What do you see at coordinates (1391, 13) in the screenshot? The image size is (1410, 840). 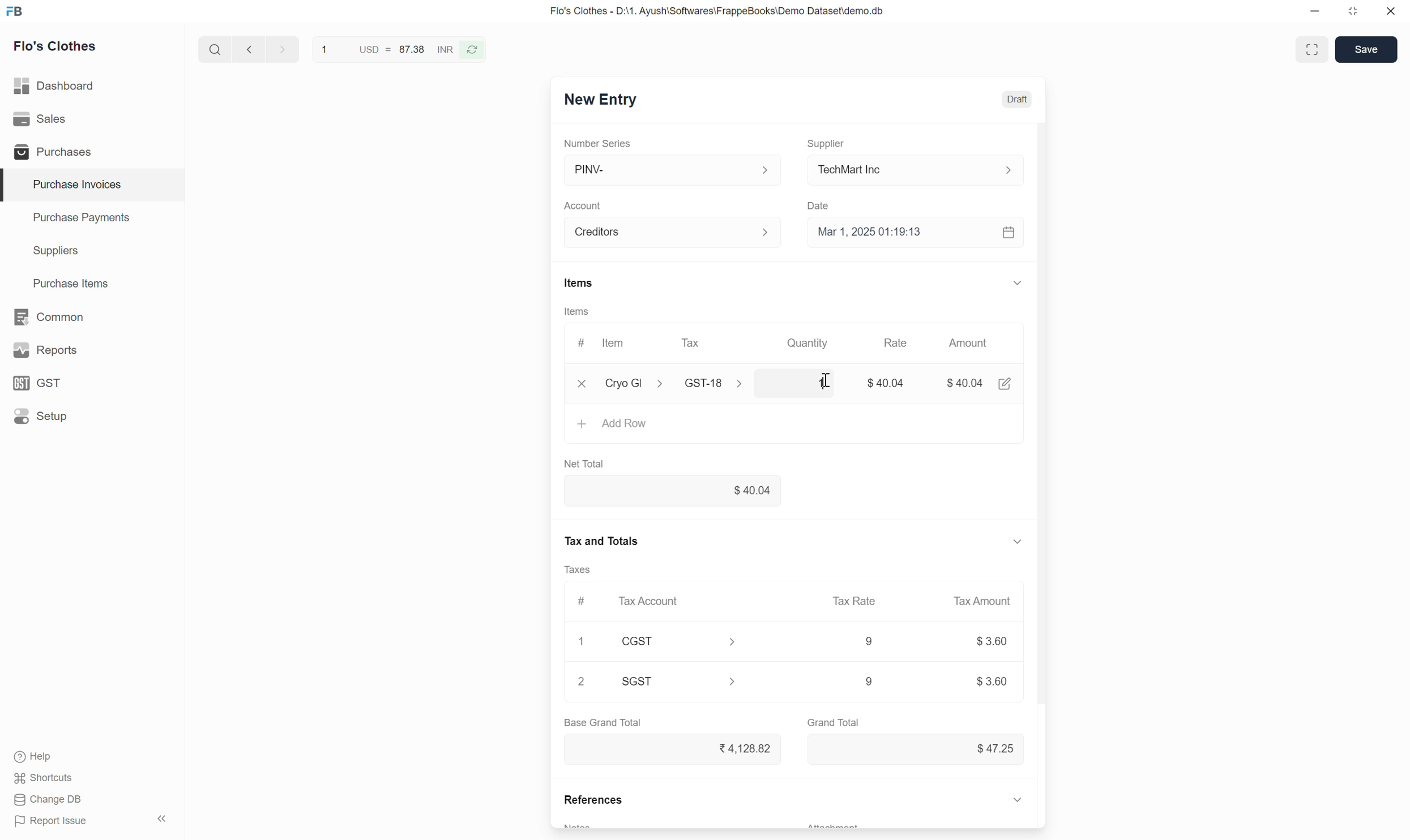 I see `close` at bounding box center [1391, 13].